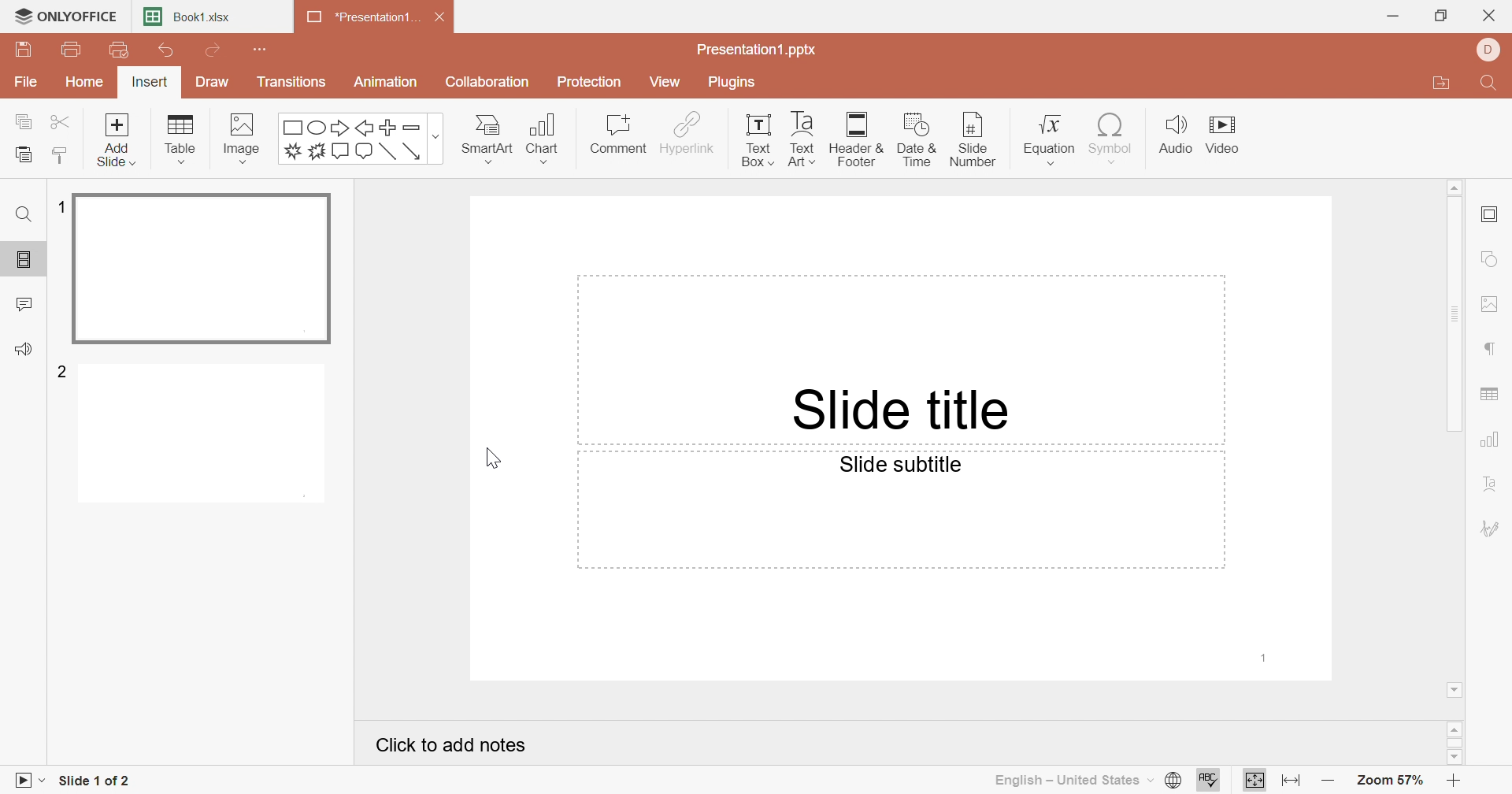 This screenshot has height=794, width=1512. Describe the element at coordinates (490, 84) in the screenshot. I see `Collaboraion` at that location.